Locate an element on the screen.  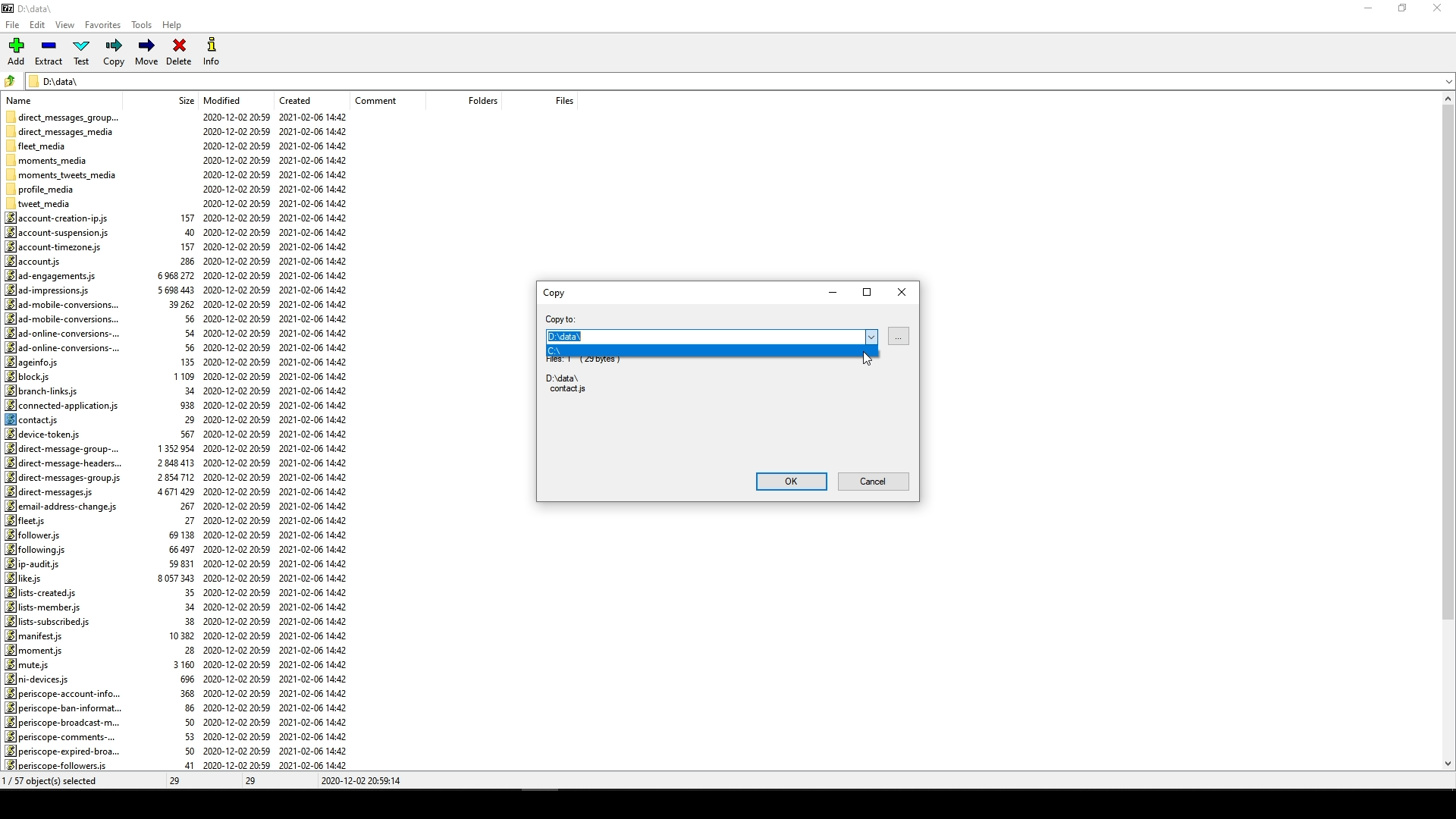
branch-links.js is located at coordinates (45, 391).